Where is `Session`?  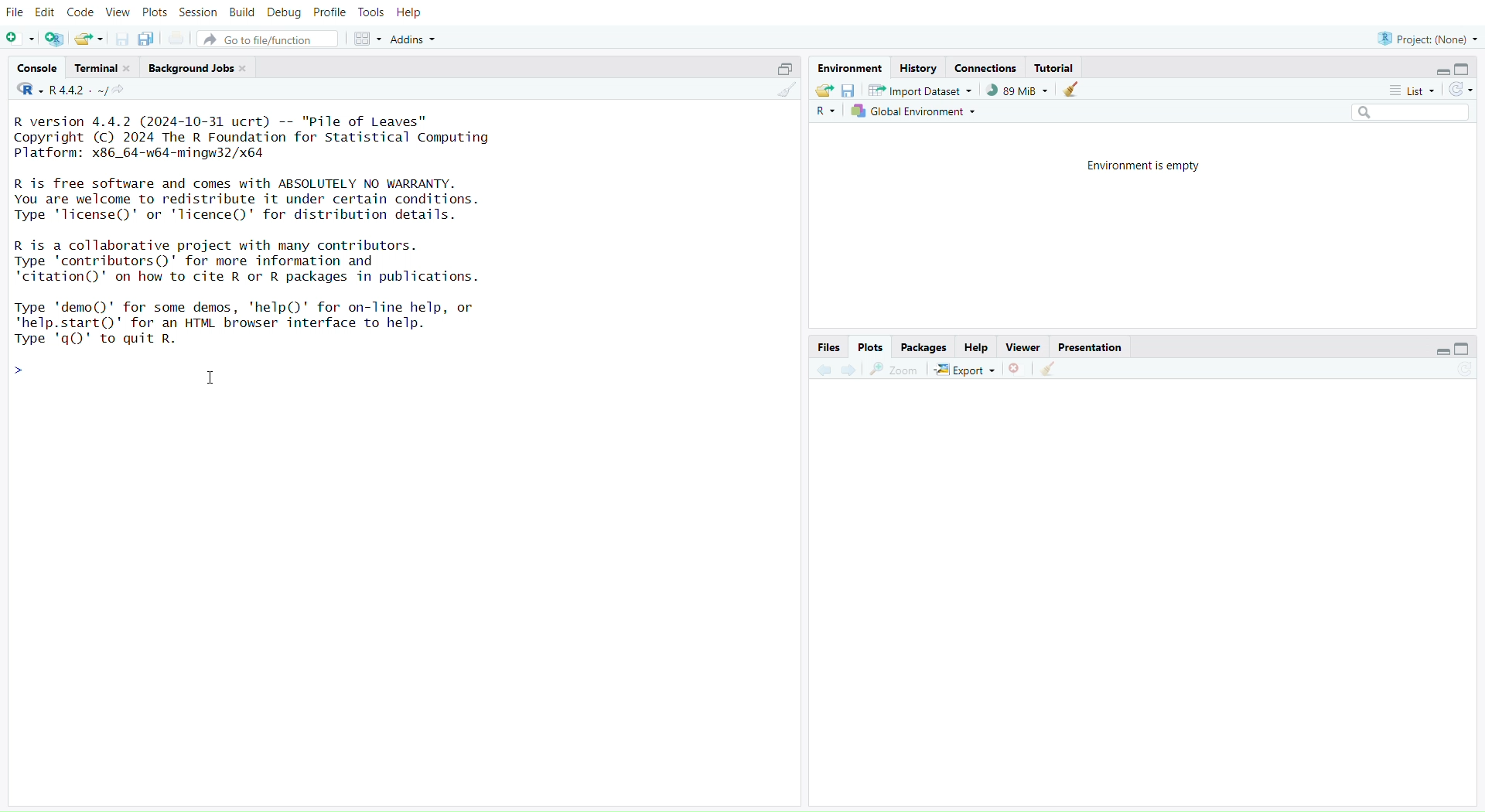
Session is located at coordinates (200, 12).